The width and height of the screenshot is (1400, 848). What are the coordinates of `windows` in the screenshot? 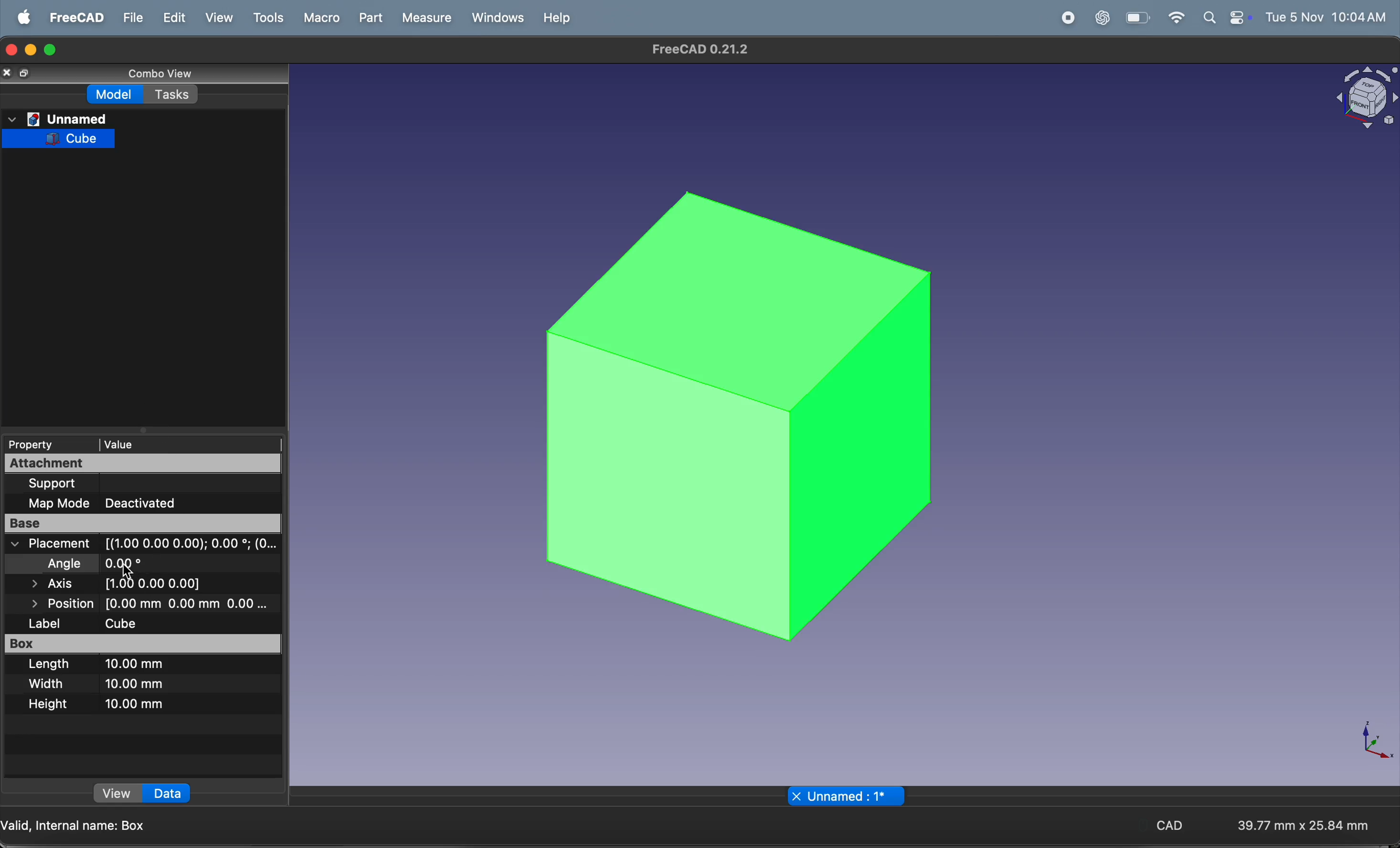 It's located at (497, 17).